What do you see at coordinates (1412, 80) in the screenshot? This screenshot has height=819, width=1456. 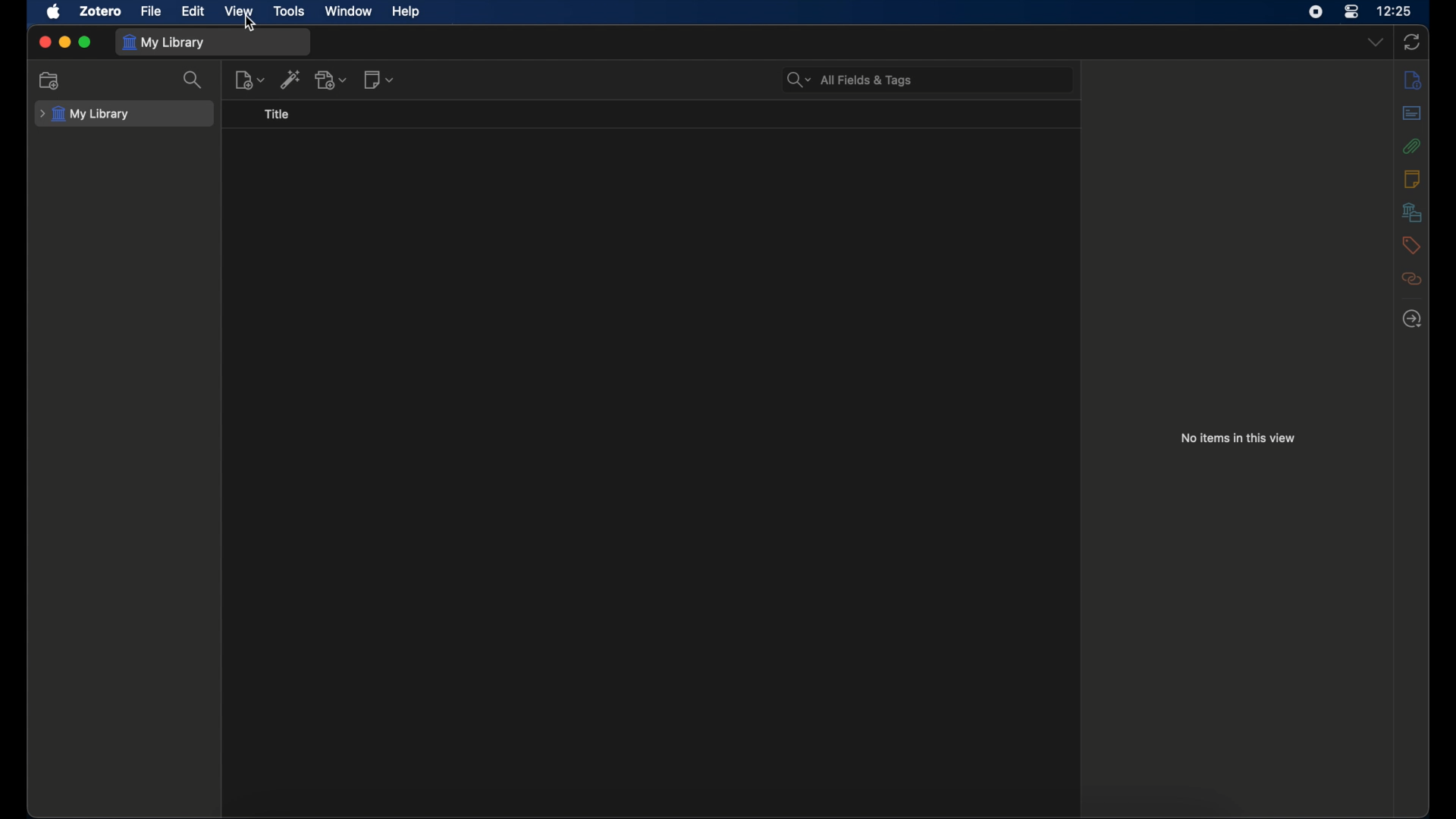 I see `info` at bounding box center [1412, 80].